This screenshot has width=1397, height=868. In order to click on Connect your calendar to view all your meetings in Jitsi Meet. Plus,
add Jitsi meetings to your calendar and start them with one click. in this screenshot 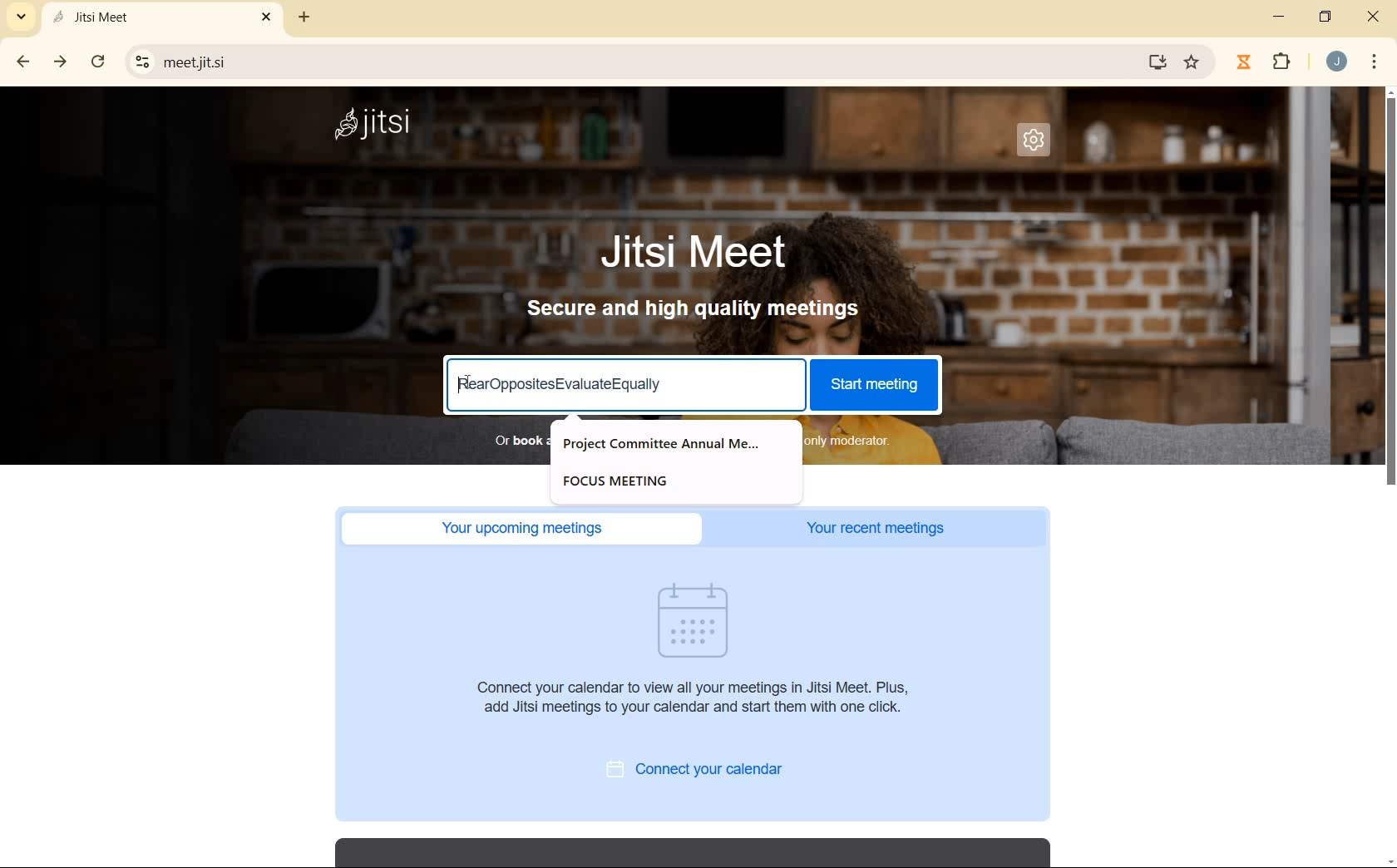, I will do `click(702, 705)`.